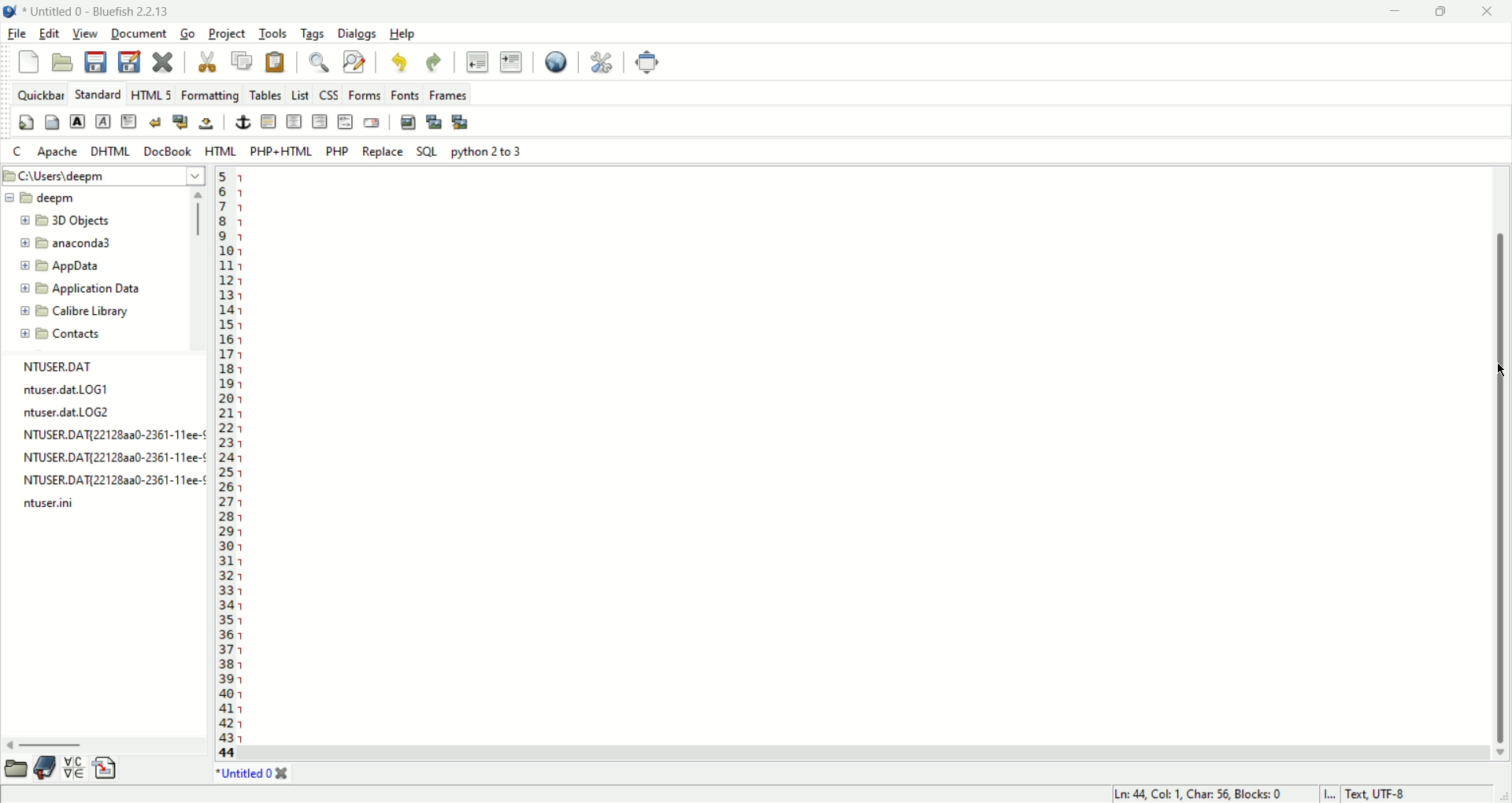 Image resolution: width=1512 pixels, height=803 pixels. Describe the element at coordinates (106, 768) in the screenshot. I see `snippets` at that location.